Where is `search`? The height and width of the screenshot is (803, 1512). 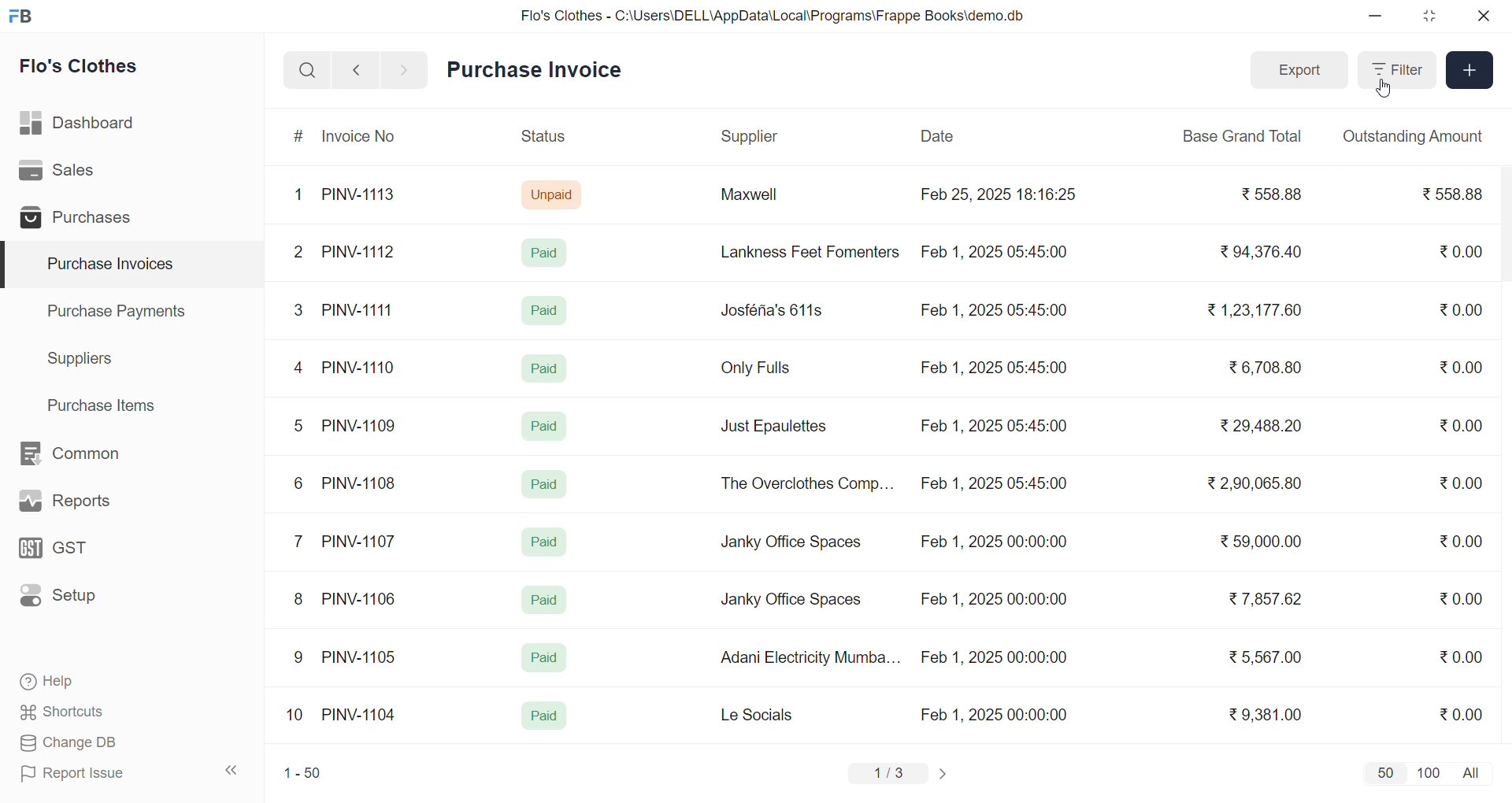 search is located at coordinates (307, 70).